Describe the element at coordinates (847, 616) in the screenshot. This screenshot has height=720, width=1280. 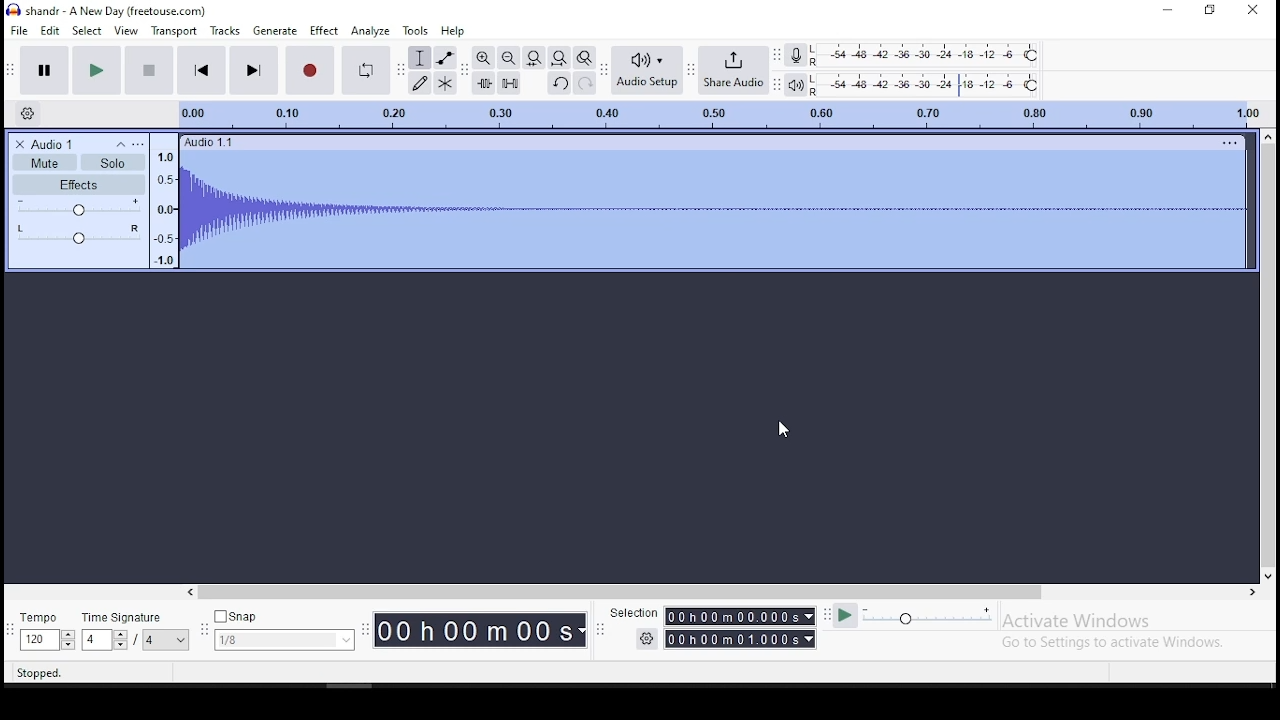
I see `play at speed` at that location.